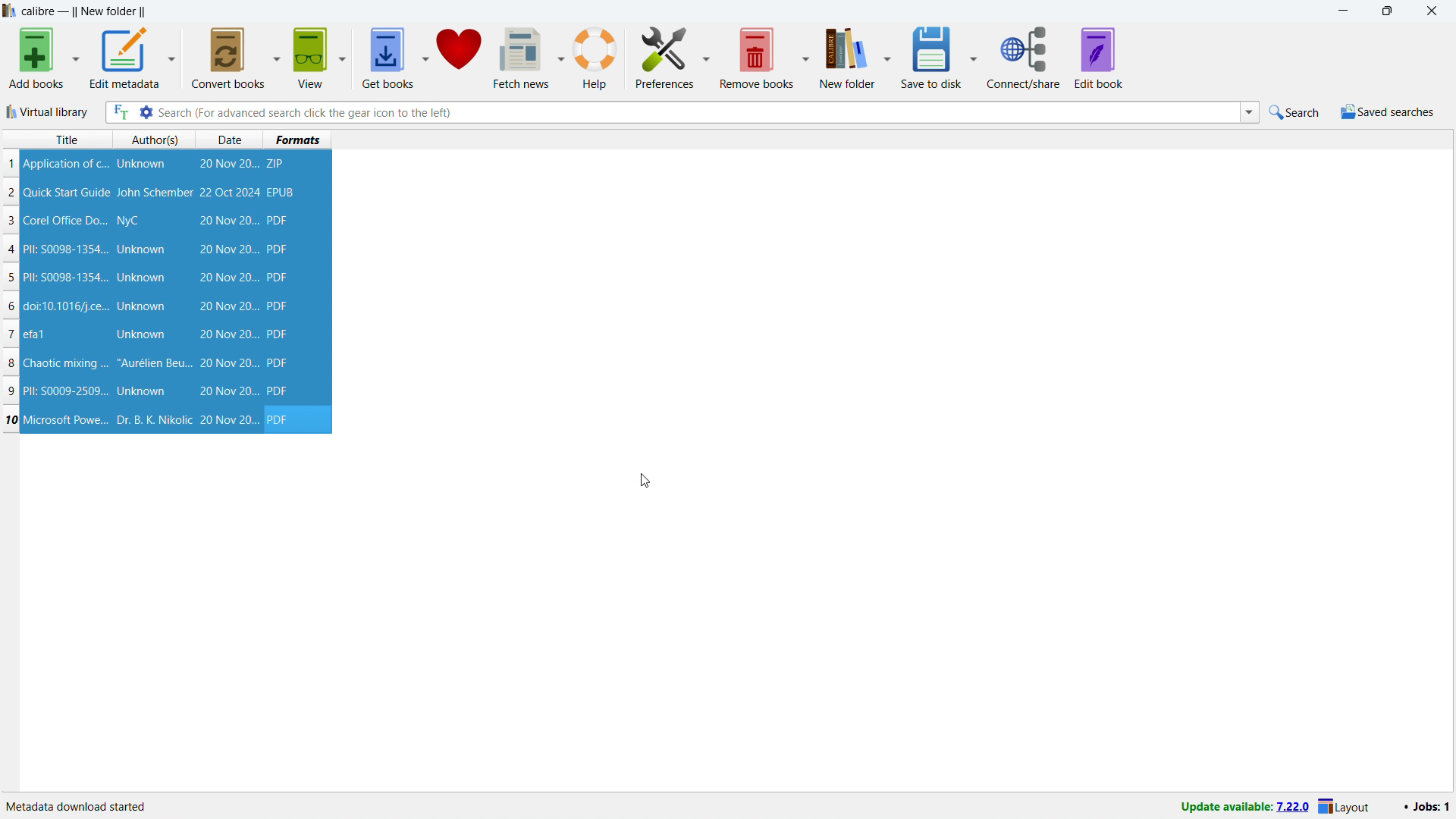 The image size is (1456, 819). What do you see at coordinates (227, 249) in the screenshot?
I see `20 Nov 20...` at bounding box center [227, 249].